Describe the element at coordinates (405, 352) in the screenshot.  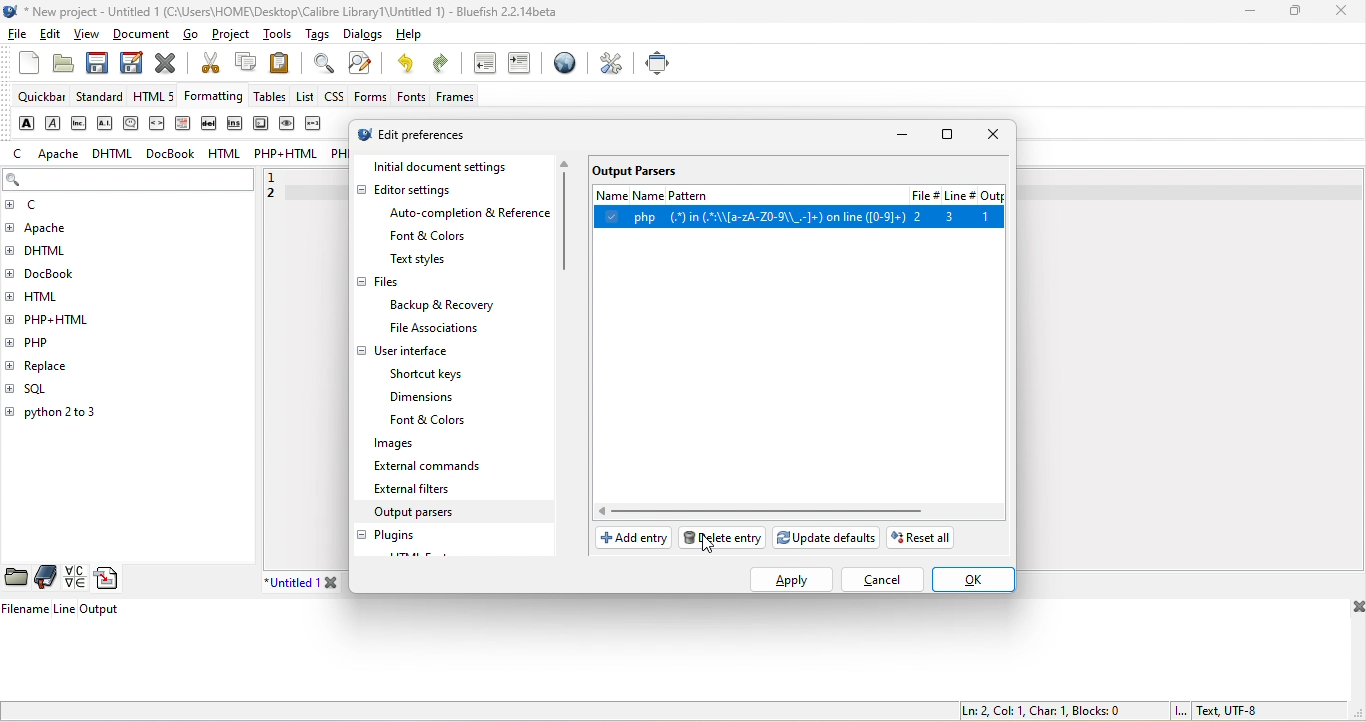
I see `user interface` at that location.